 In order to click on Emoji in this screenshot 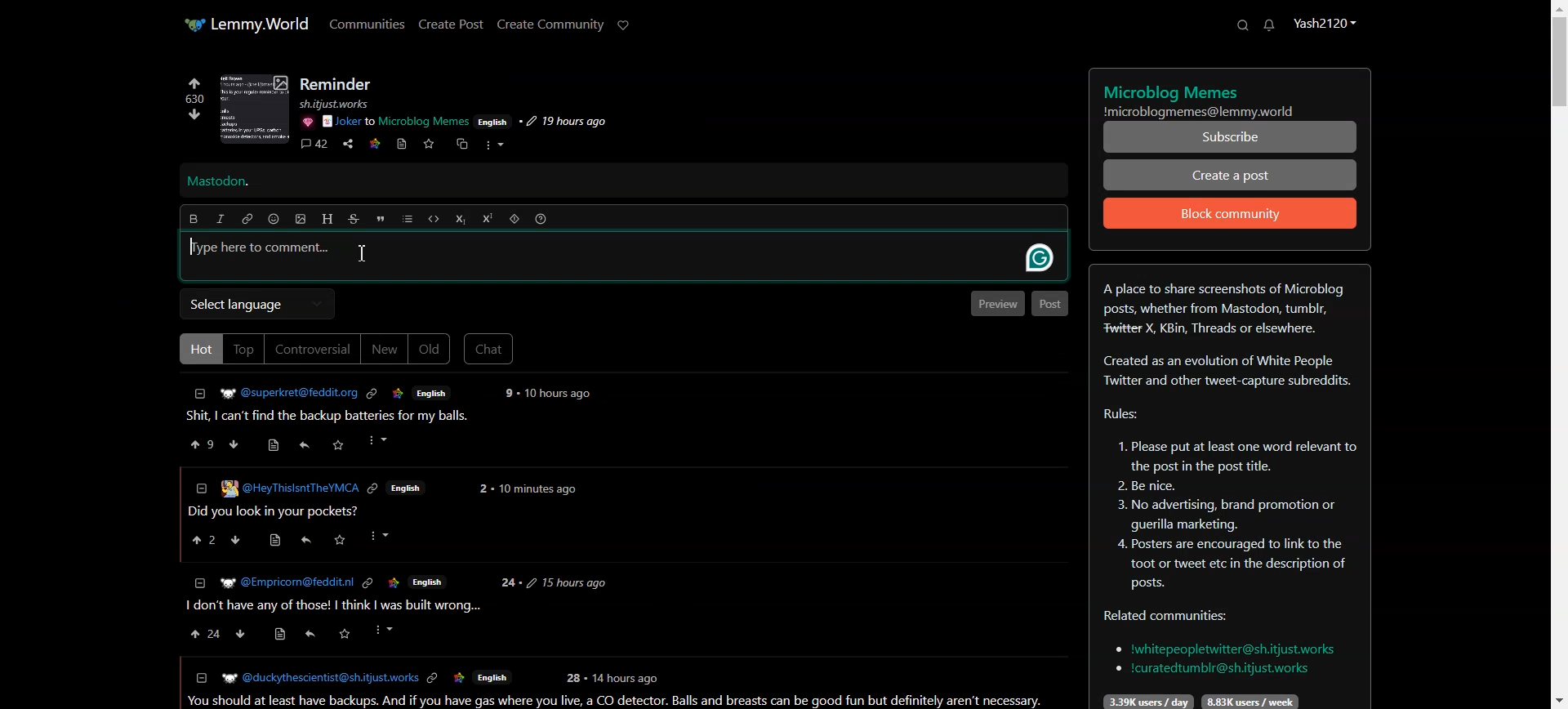, I will do `click(274, 219)`.